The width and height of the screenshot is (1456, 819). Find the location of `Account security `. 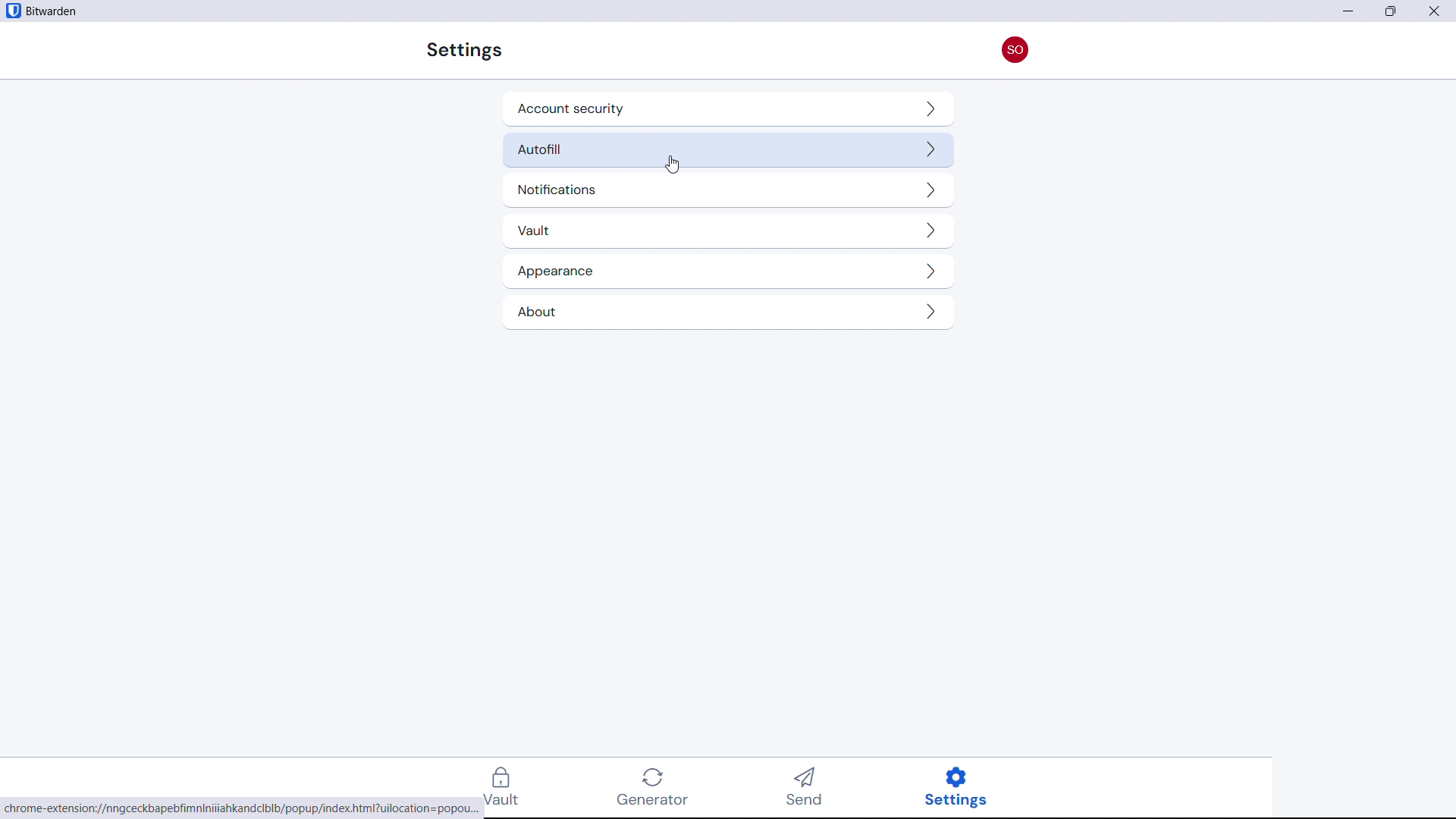

Account security  is located at coordinates (728, 109).